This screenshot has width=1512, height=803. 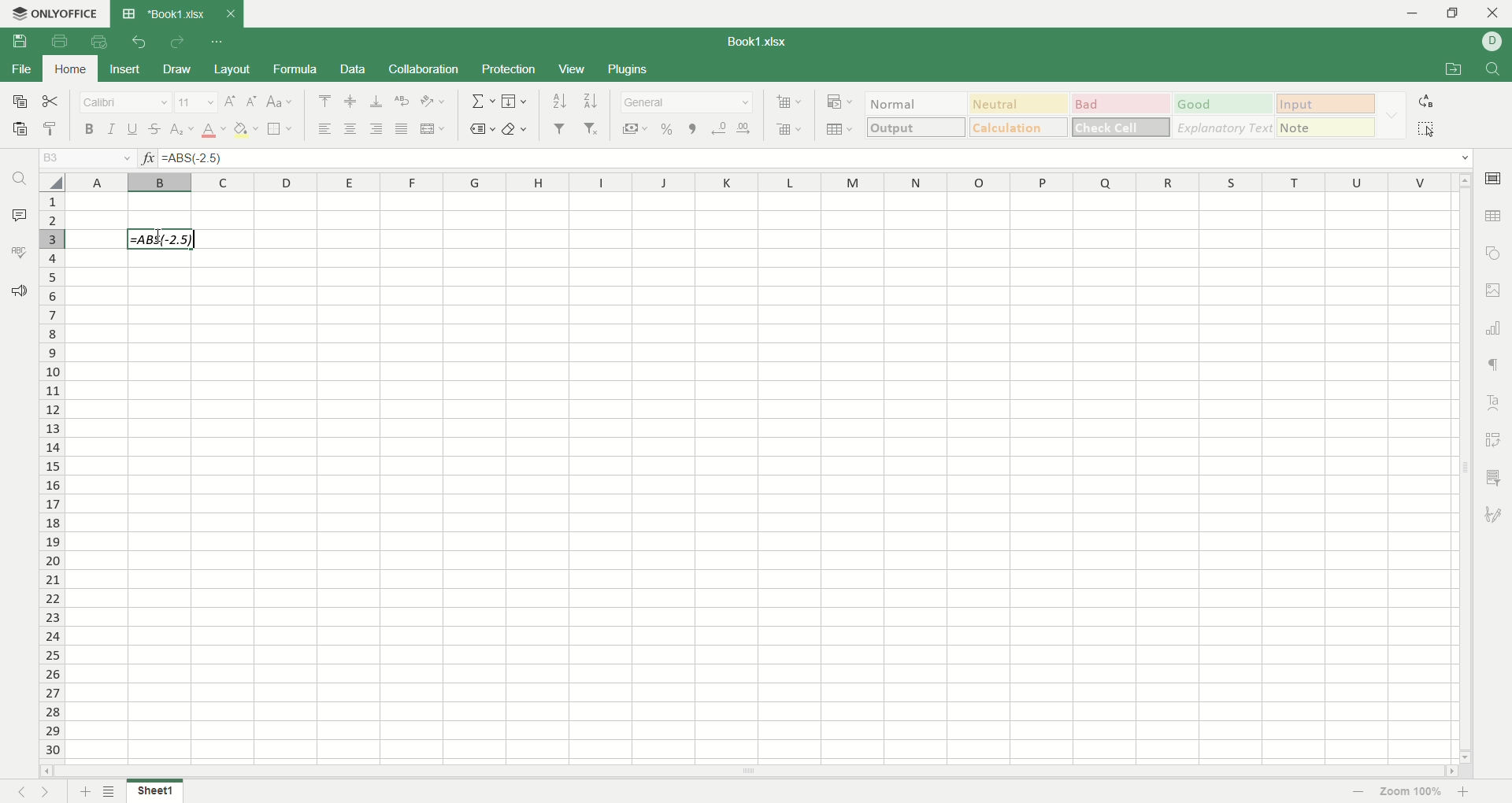 I want to click on print, so click(x=63, y=43).